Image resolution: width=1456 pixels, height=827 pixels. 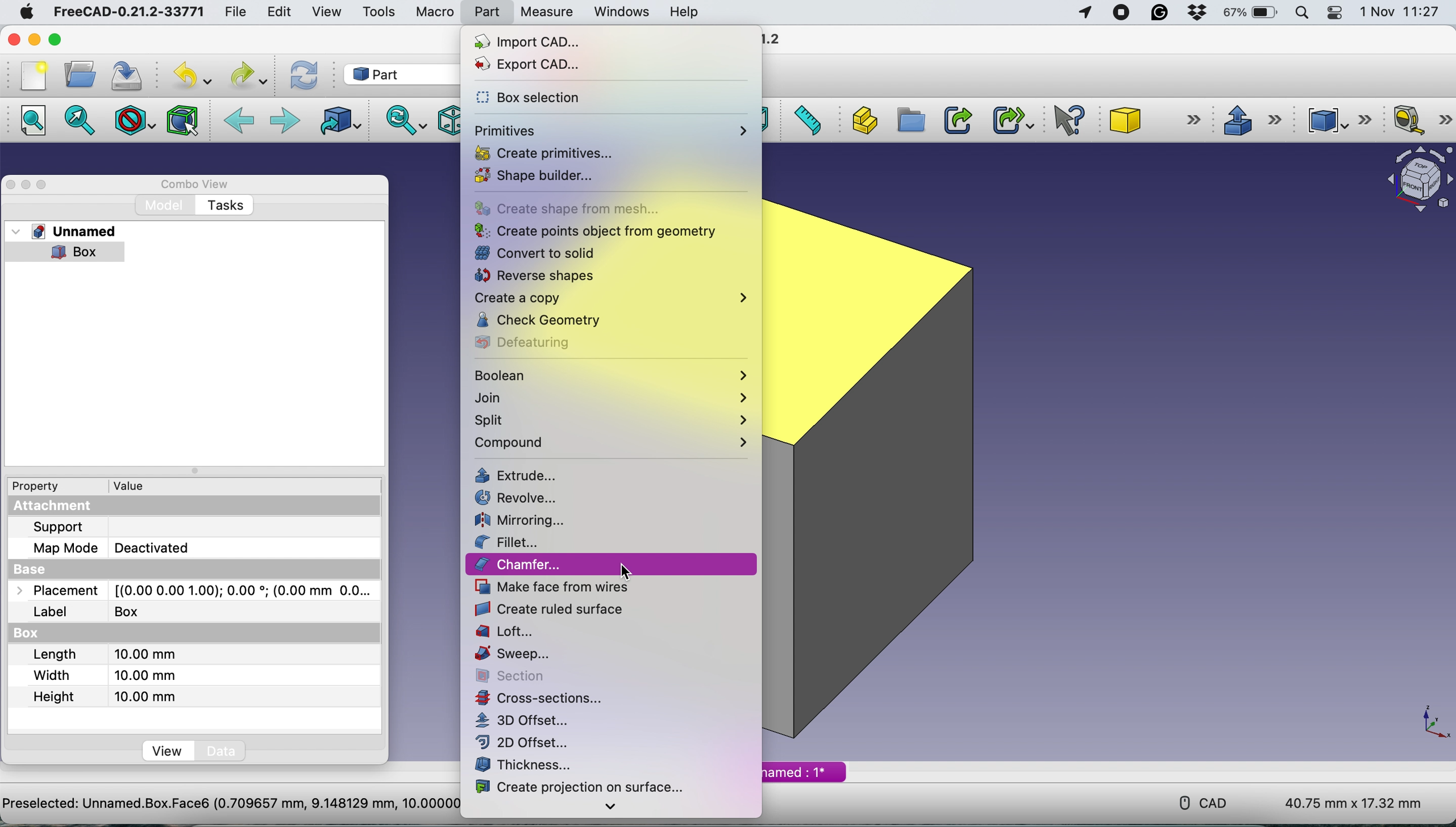 What do you see at coordinates (166, 751) in the screenshot?
I see `view` at bounding box center [166, 751].